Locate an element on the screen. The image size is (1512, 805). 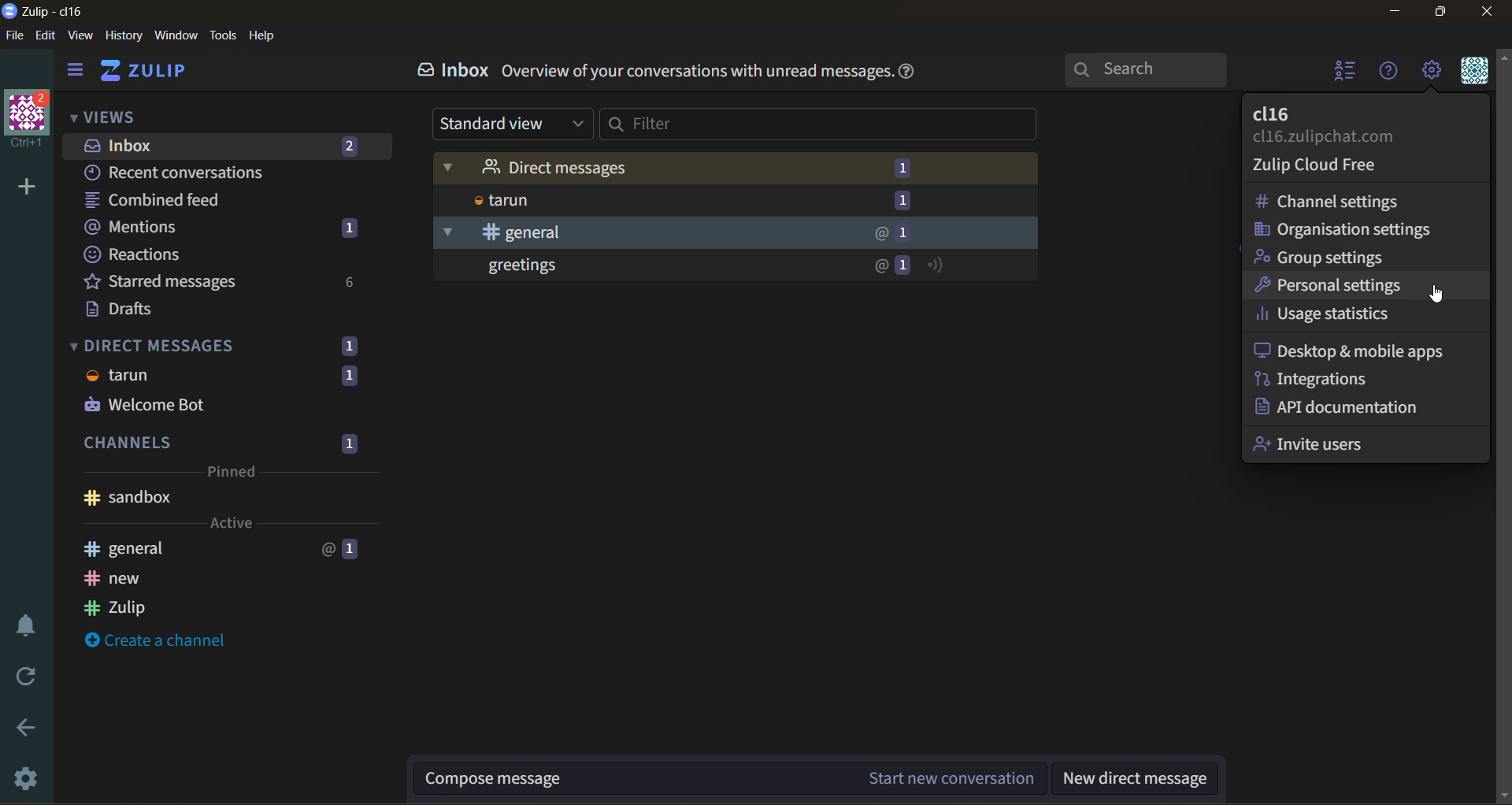
views is located at coordinates (209, 120).